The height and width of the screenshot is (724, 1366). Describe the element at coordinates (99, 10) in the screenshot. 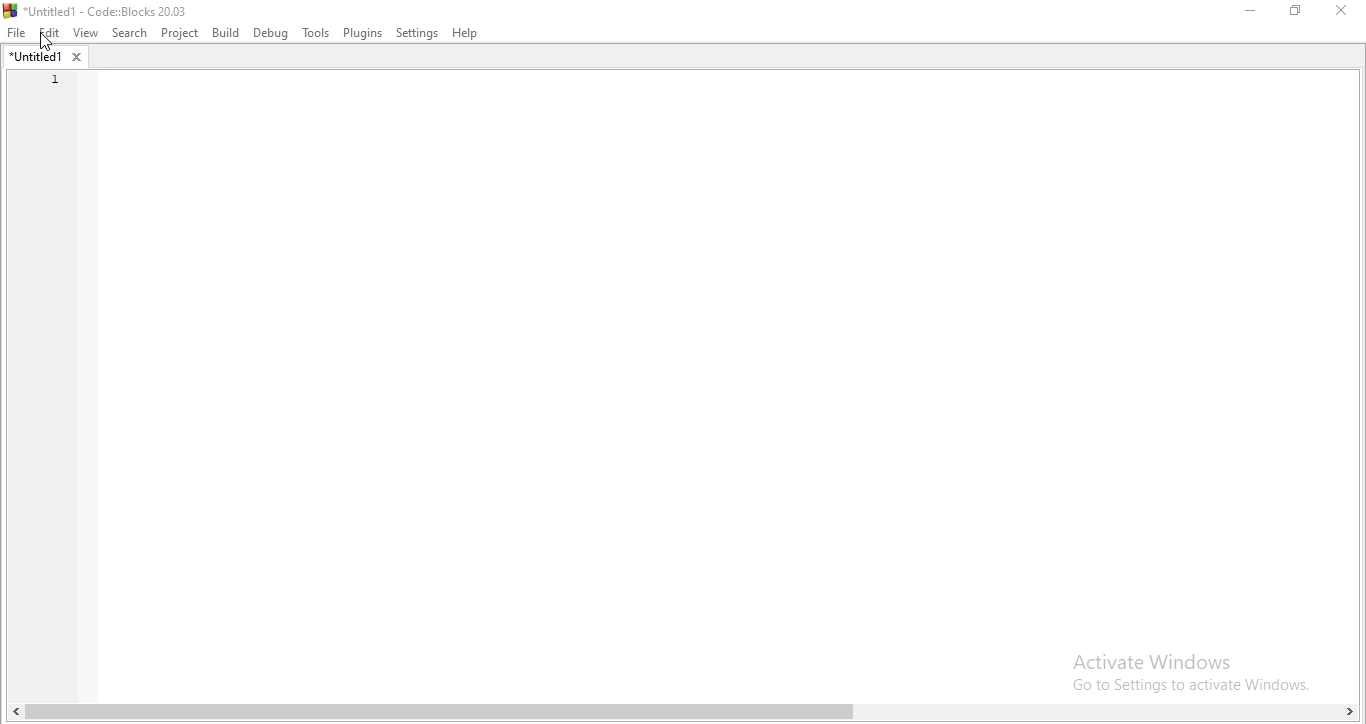

I see `Untitled1 - Code : Blocks 20.03` at that location.